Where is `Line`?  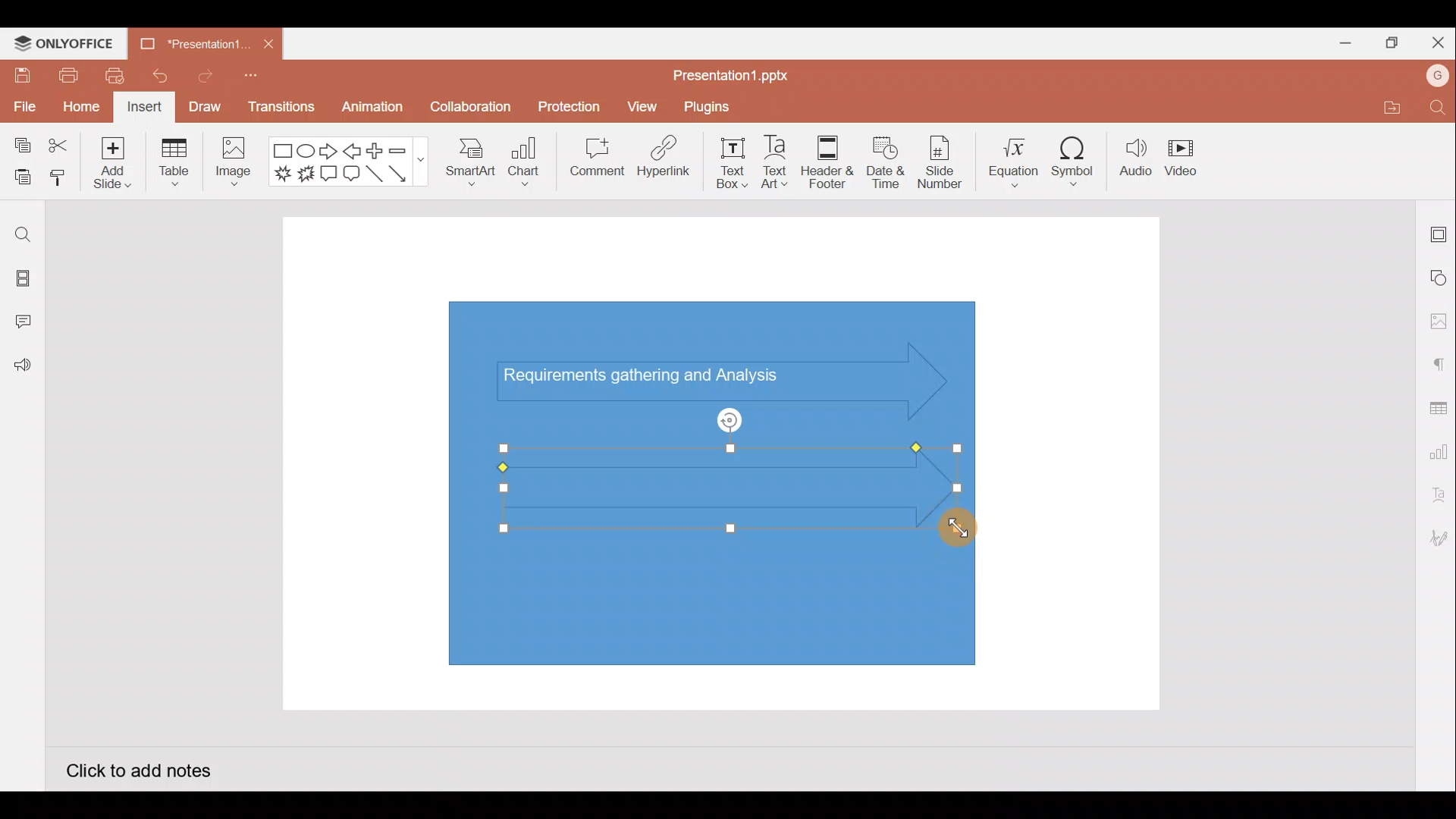 Line is located at coordinates (376, 178).